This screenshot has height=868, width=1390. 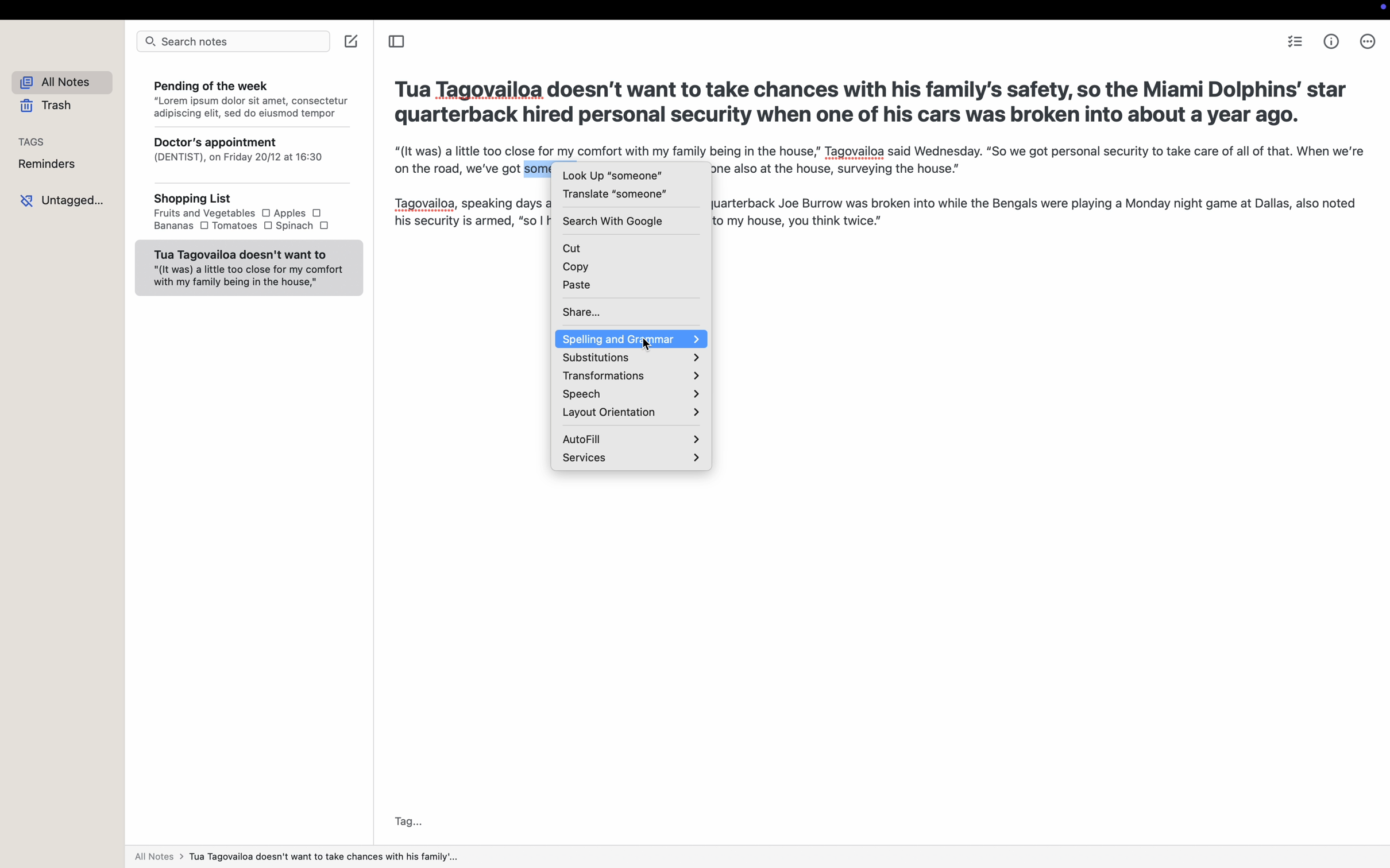 I want to click on all notes, so click(x=56, y=80).